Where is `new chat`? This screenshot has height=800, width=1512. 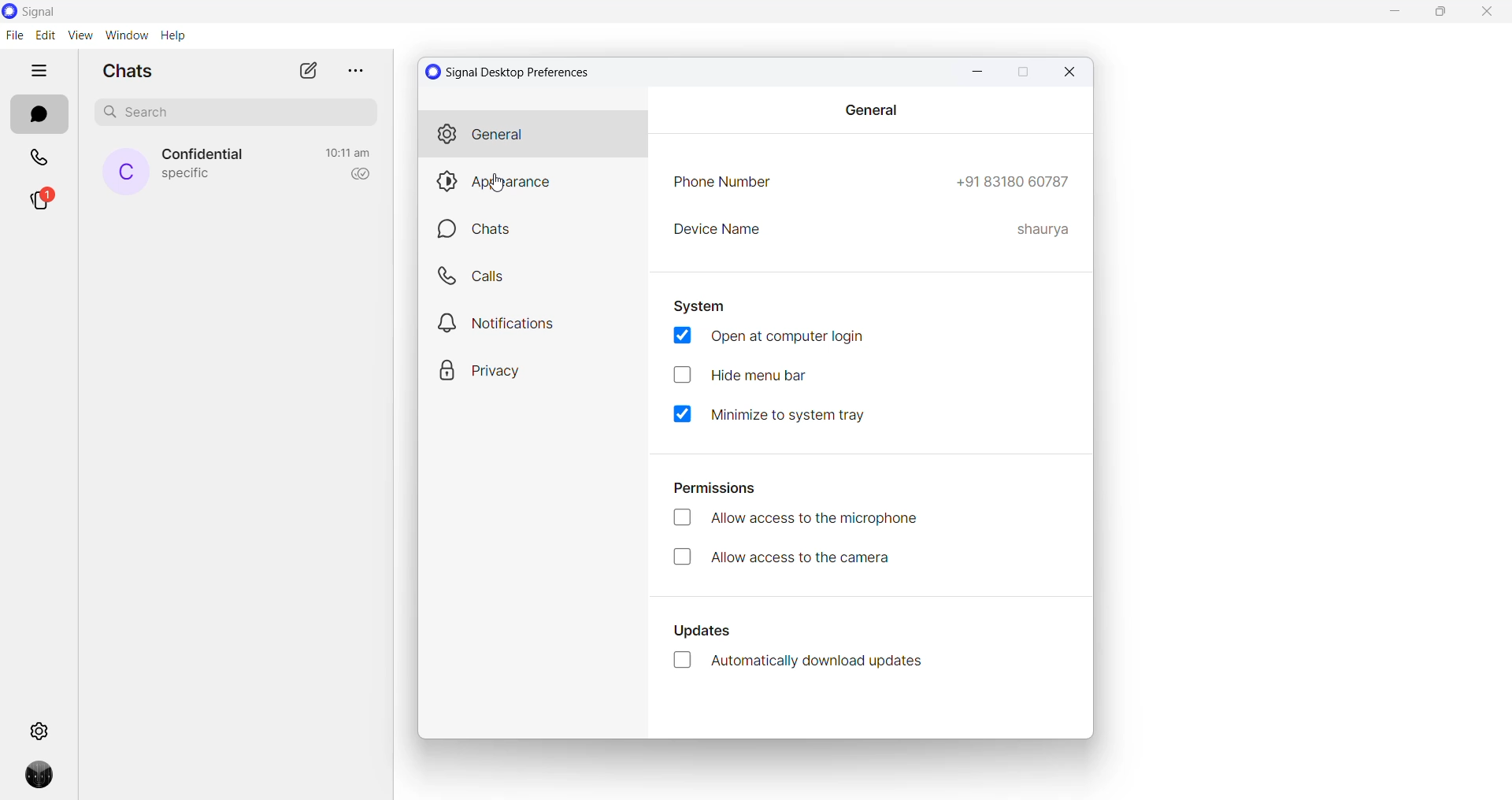 new chat is located at coordinates (308, 70).